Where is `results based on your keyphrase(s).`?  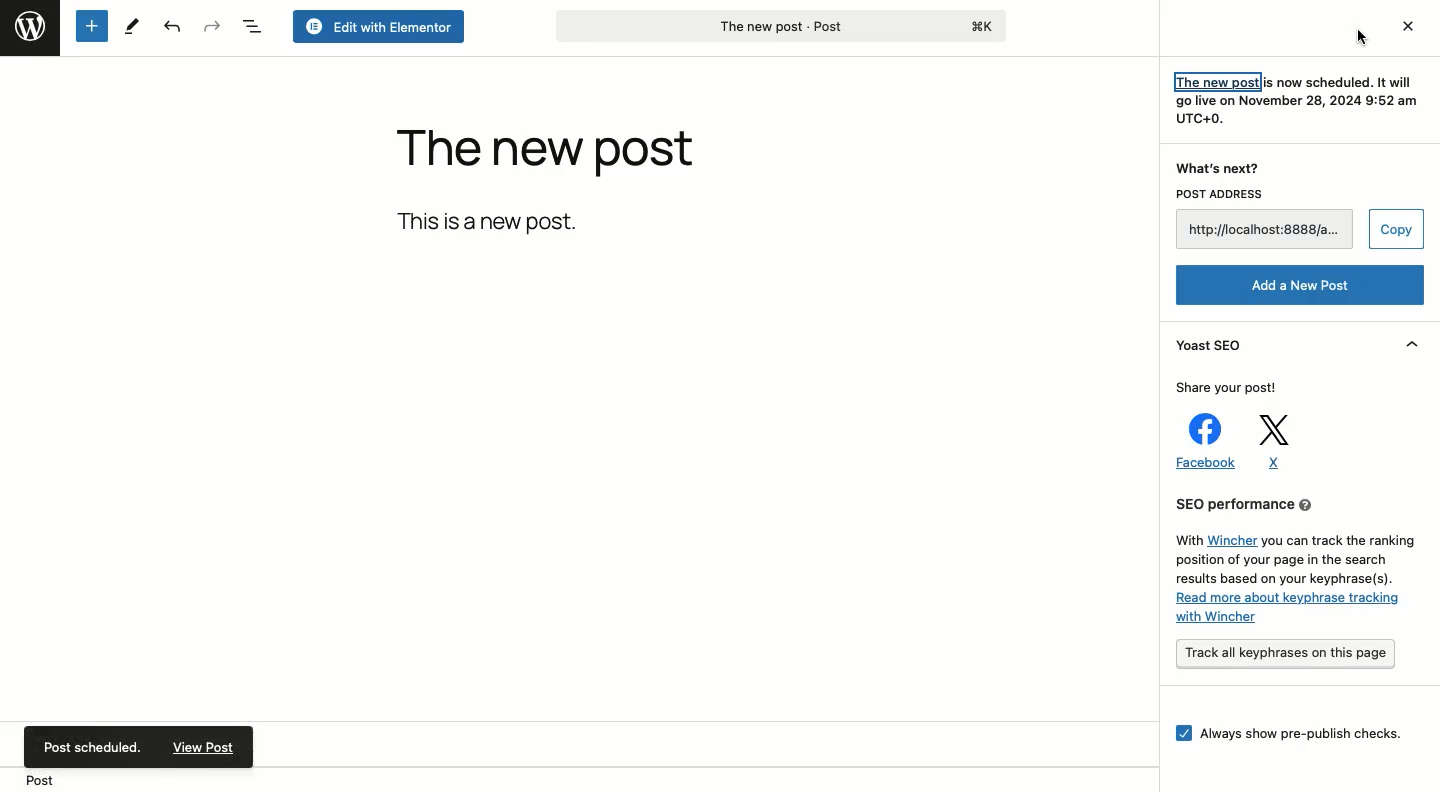
results based on your keyphrase(s). is located at coordinates (1285, 579).